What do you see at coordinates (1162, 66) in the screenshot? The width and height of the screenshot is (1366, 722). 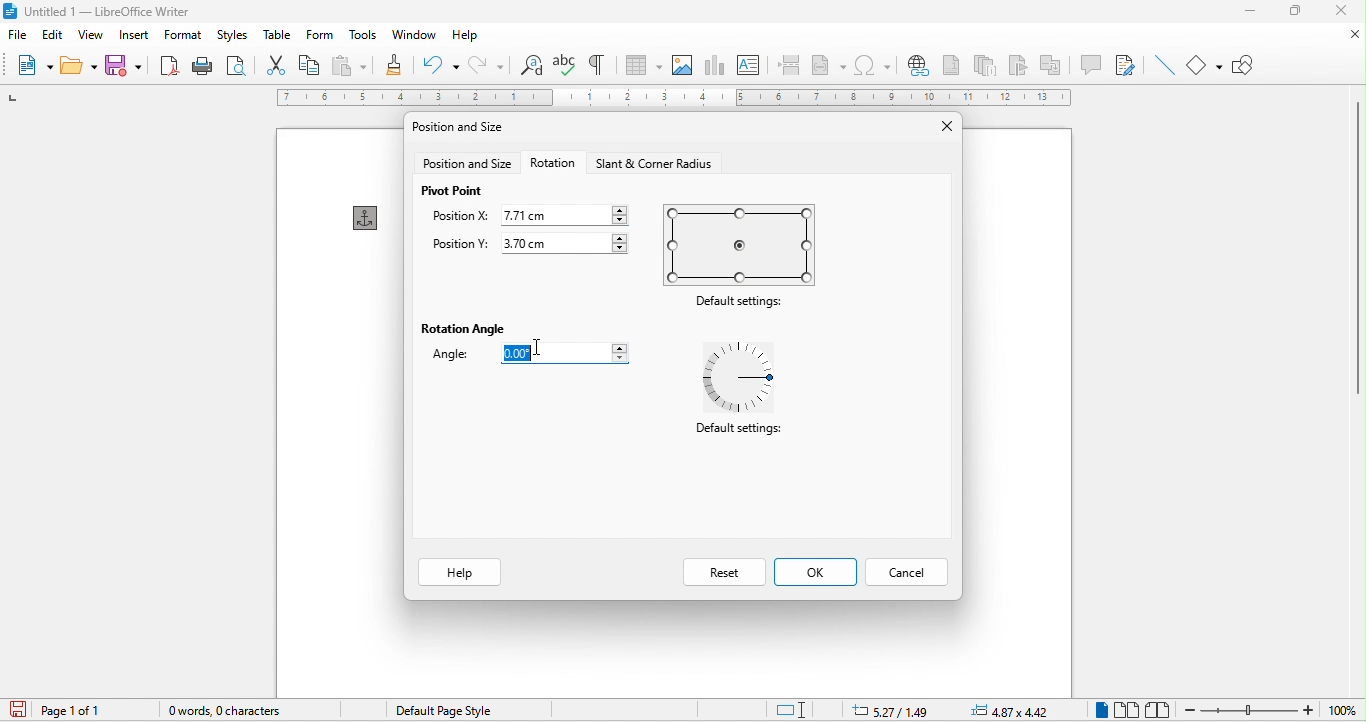 I see `insert line` at bounding box center [1162, 66].